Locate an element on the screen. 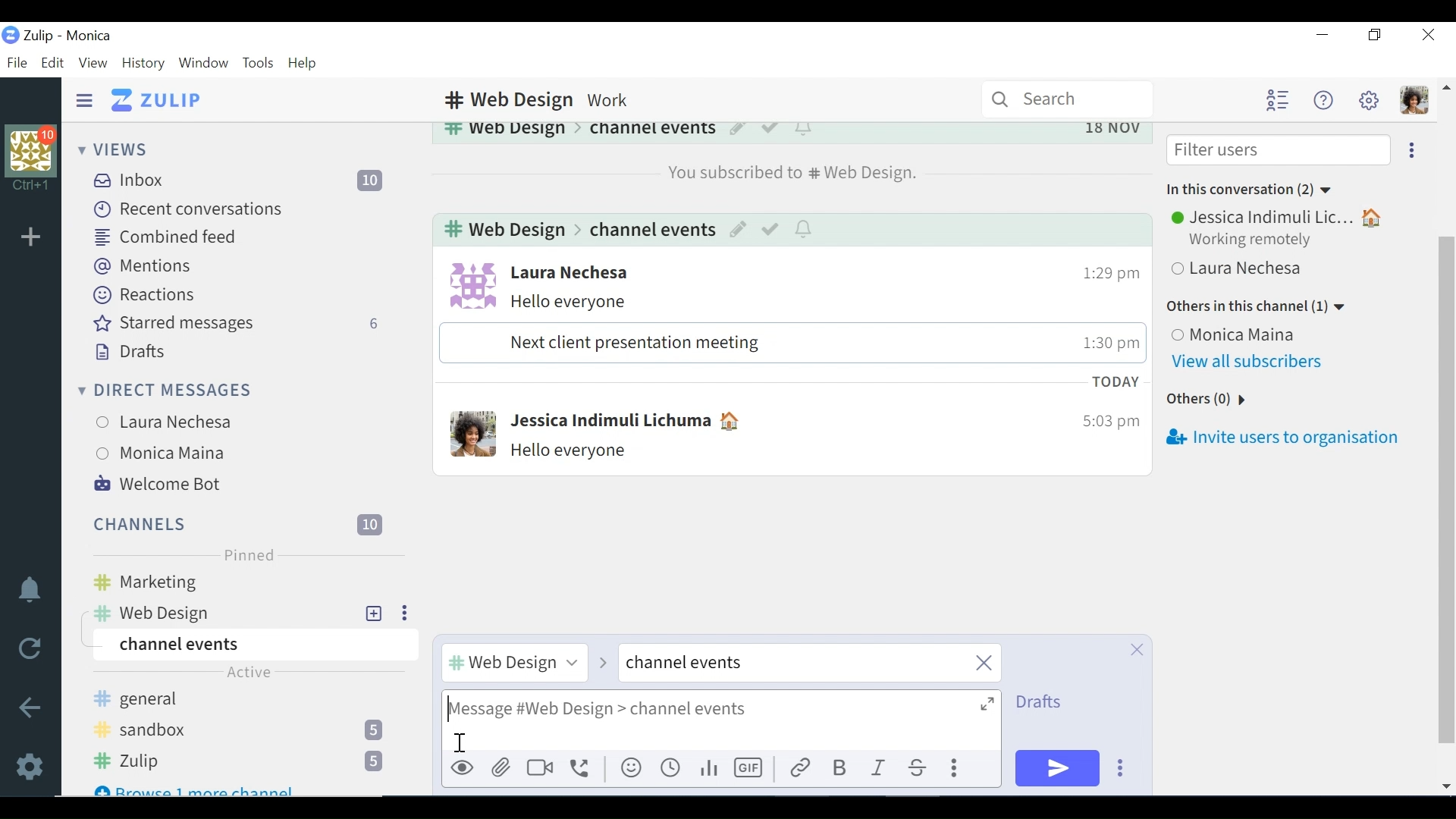  User is located at coordinates (172, 419).